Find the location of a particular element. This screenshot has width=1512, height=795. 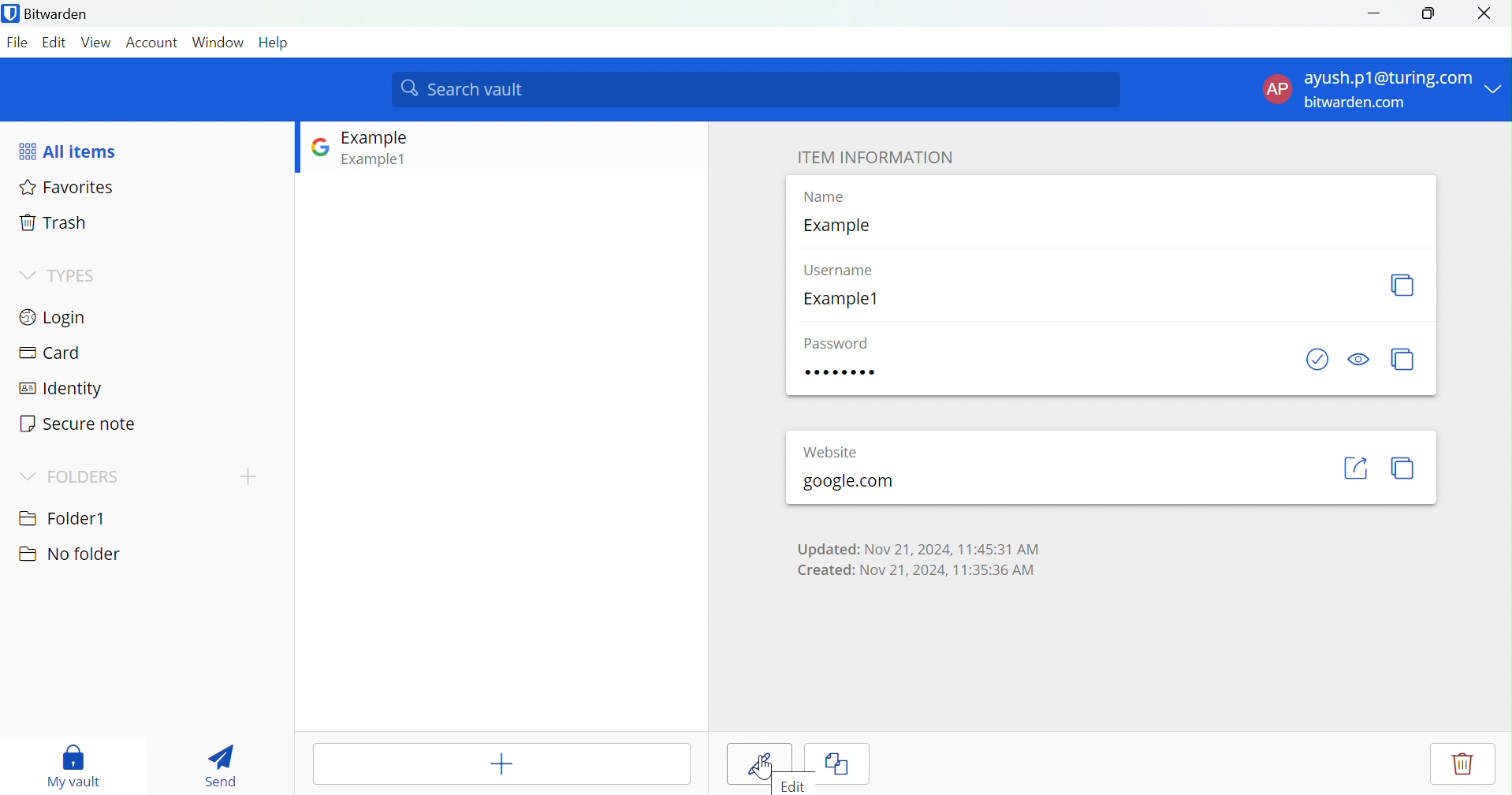

Search vault is located at coordinates (757, 90).